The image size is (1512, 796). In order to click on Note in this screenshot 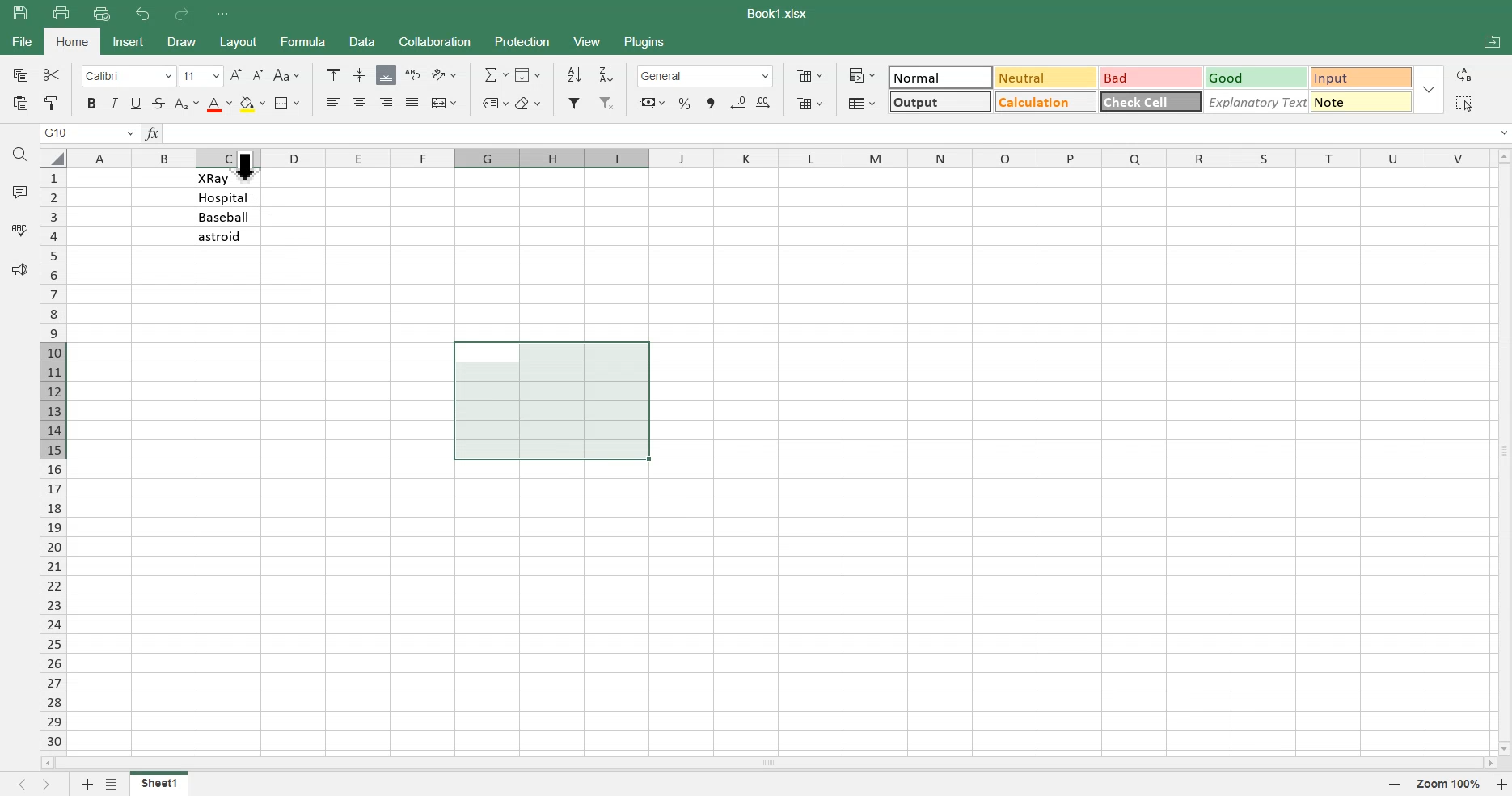, I will do `click(1363, 105)`.